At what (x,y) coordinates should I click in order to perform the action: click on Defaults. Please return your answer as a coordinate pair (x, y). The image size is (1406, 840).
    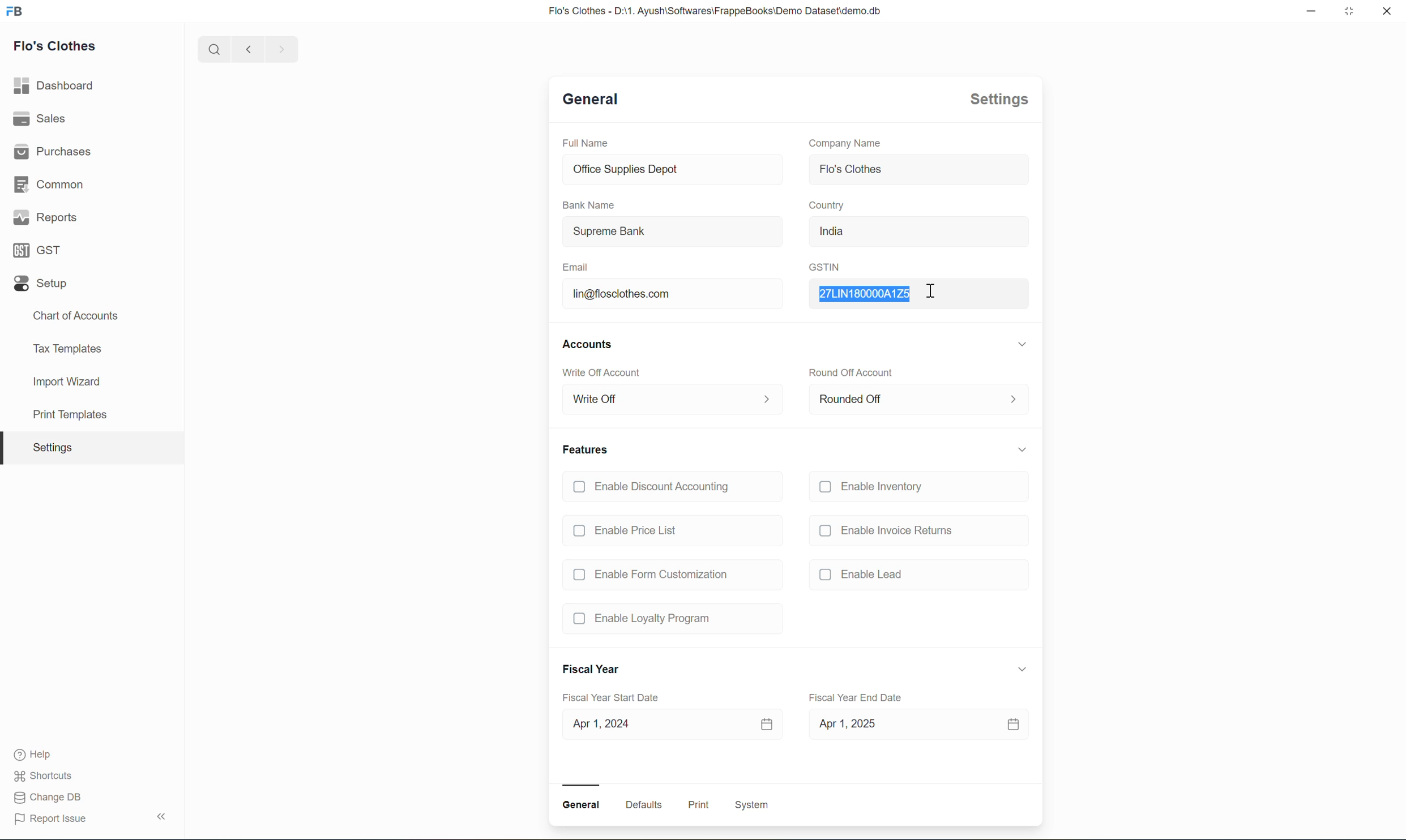
    Looking at the image, I should click on (643, 804).